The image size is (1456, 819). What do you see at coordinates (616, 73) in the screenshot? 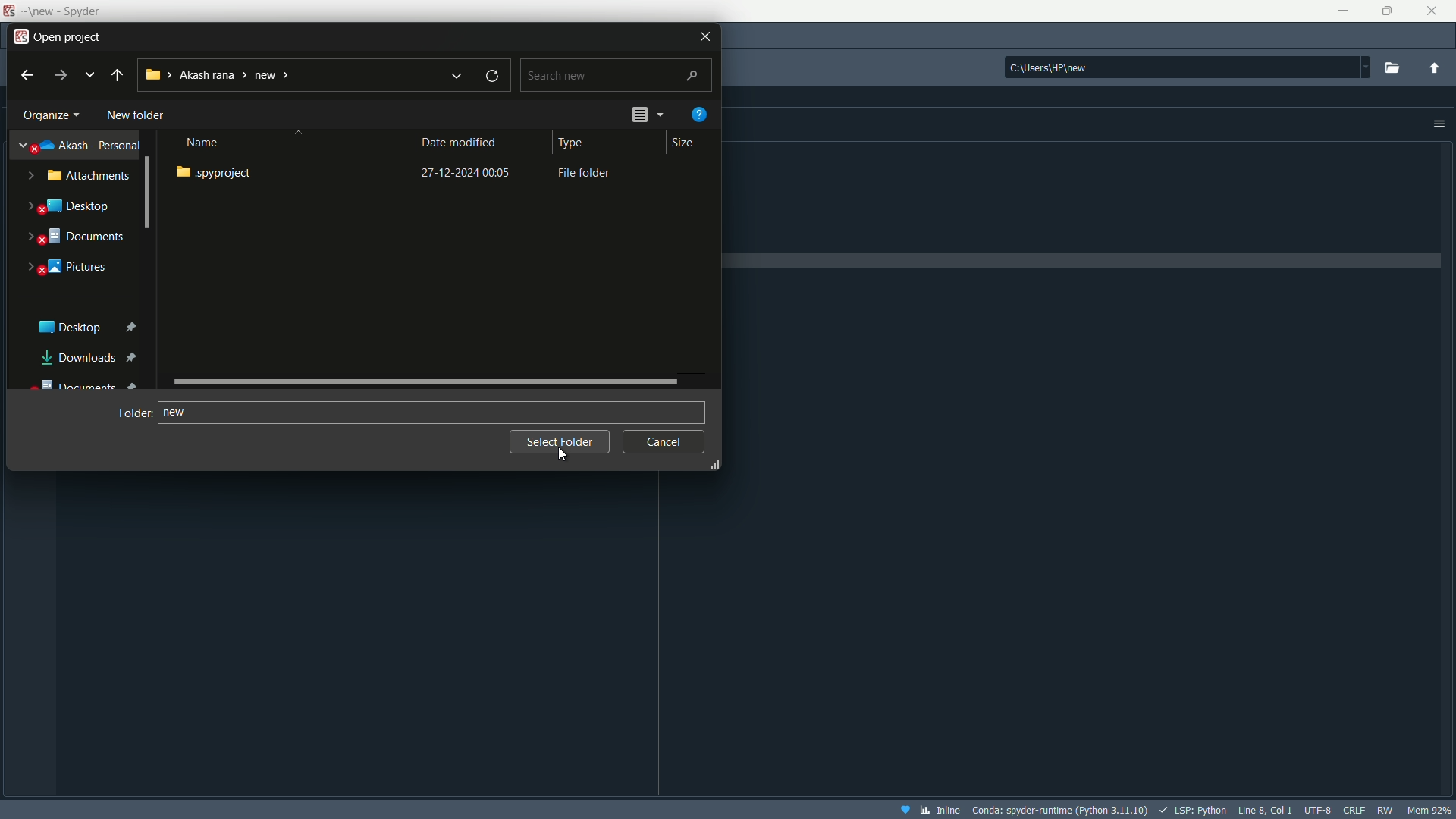
I see `search bar` at bounding box center [616, 73].